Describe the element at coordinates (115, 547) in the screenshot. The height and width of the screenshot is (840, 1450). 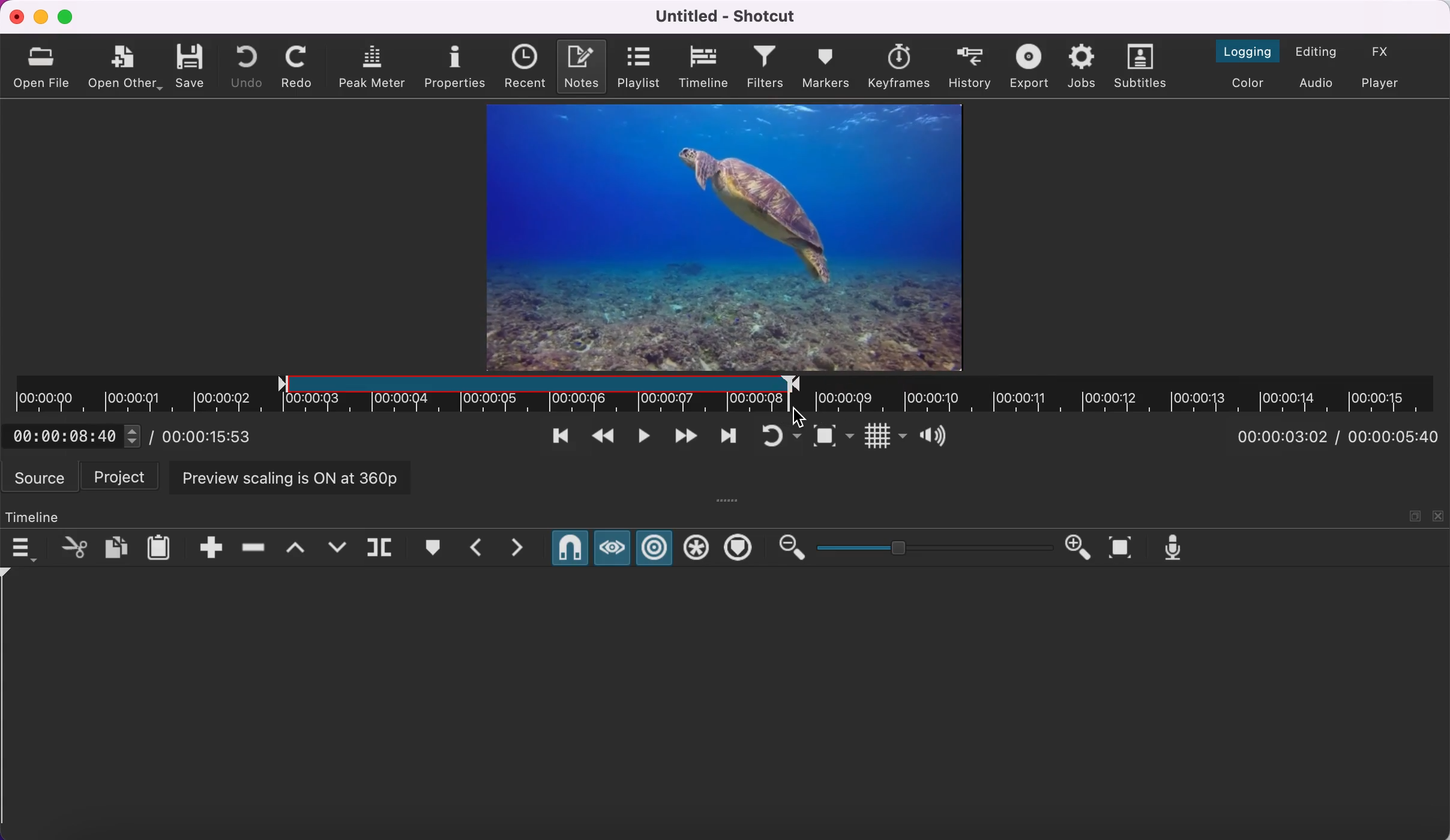
I see `copy checked filters` at that location.